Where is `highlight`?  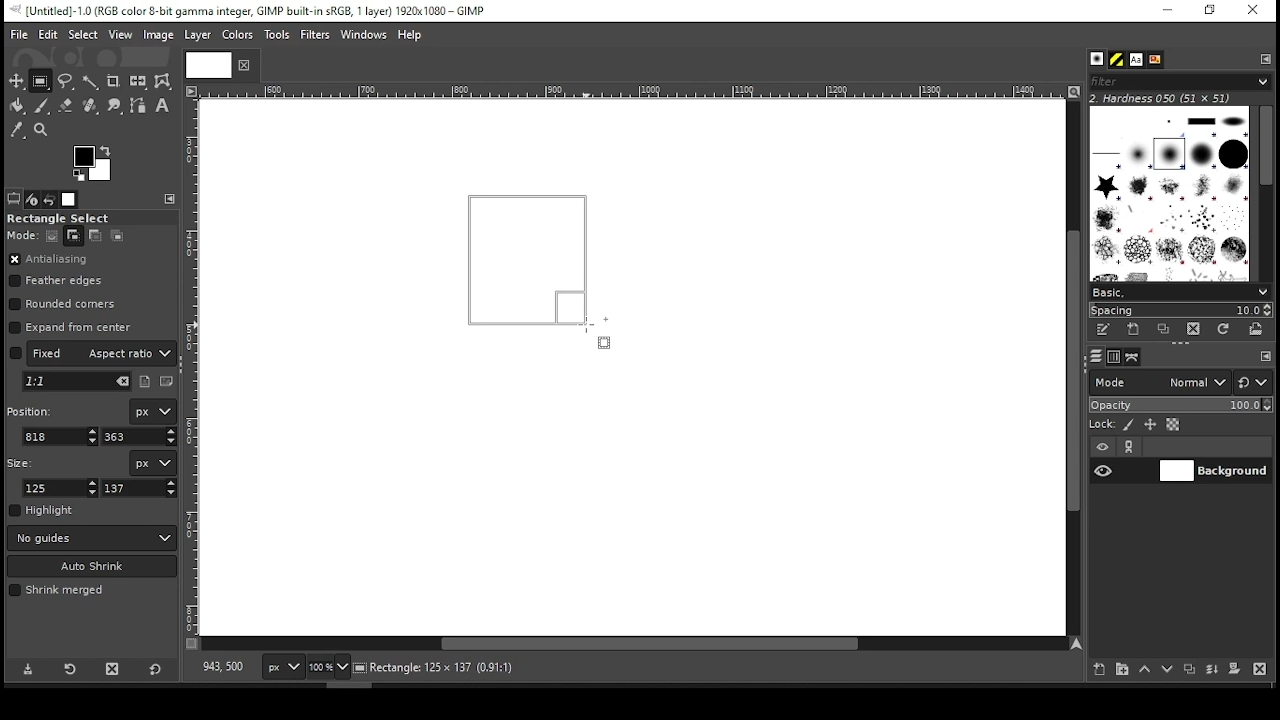 highlight is located at coordinates (42, 510).